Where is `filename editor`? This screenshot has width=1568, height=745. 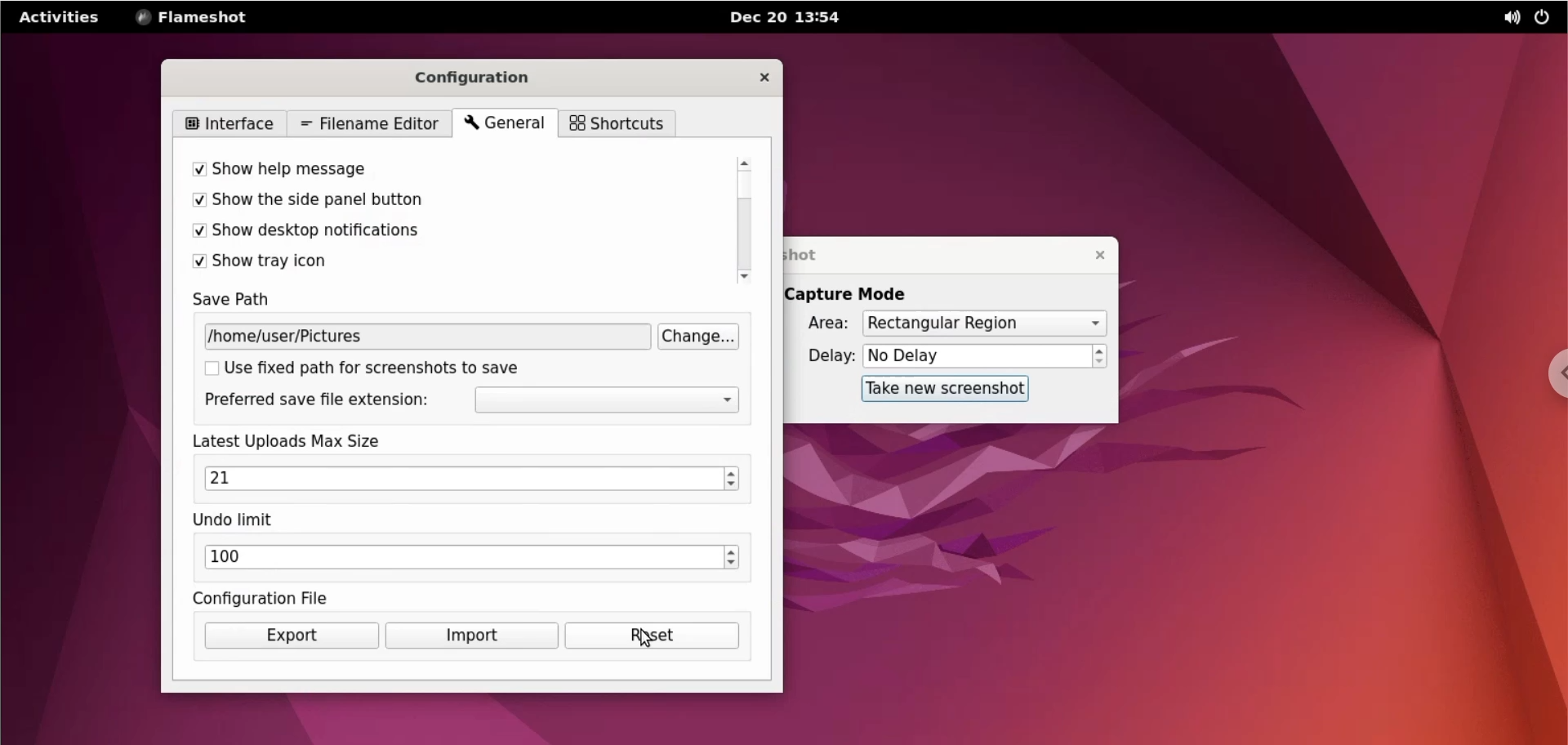
filename editor is located at coordinates (366, 123).